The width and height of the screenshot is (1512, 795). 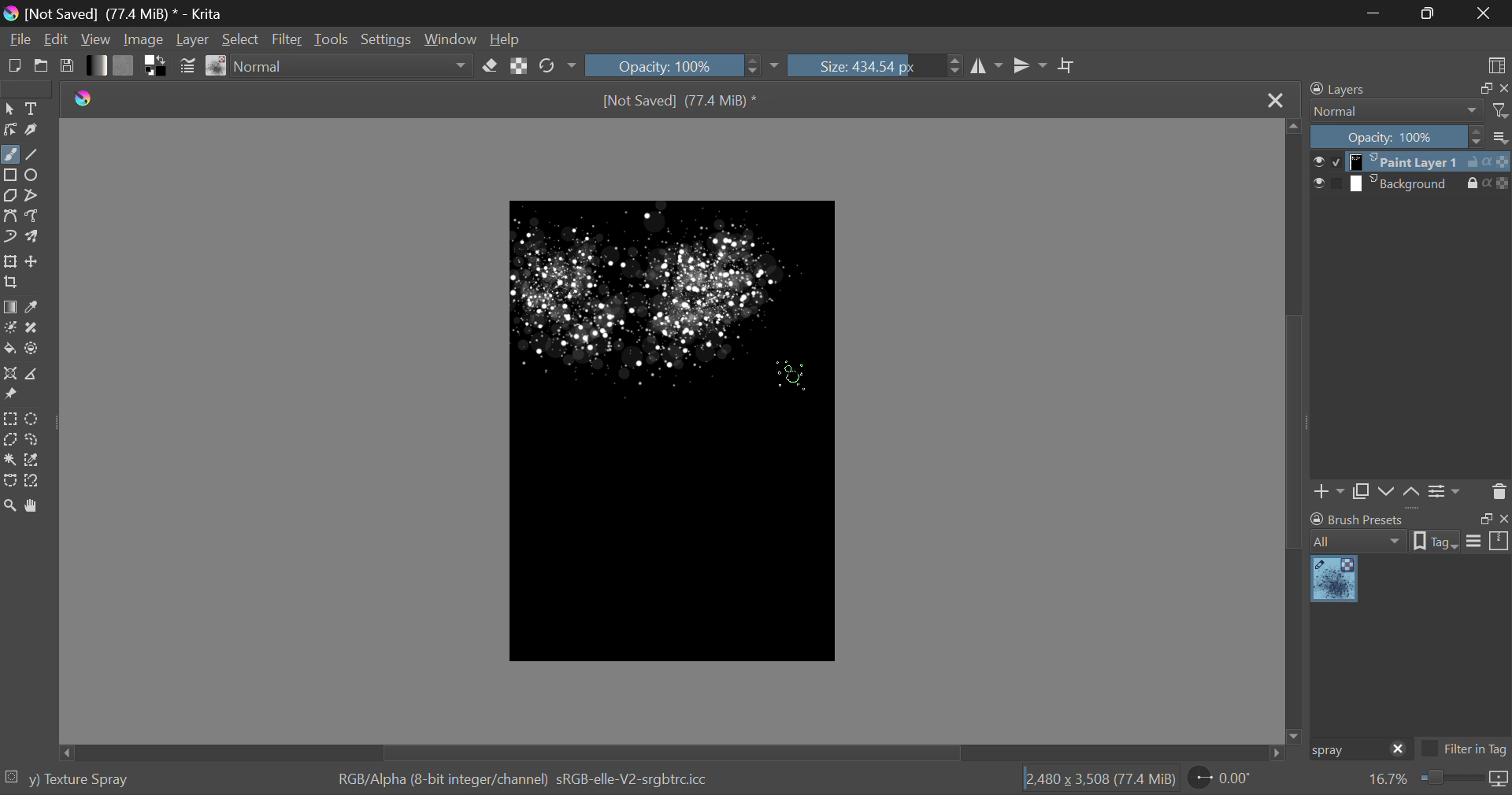 What do you see at coordinates (34, 176) in the screenshot?
I see `Ellipses` at bounding box center [34, 176].